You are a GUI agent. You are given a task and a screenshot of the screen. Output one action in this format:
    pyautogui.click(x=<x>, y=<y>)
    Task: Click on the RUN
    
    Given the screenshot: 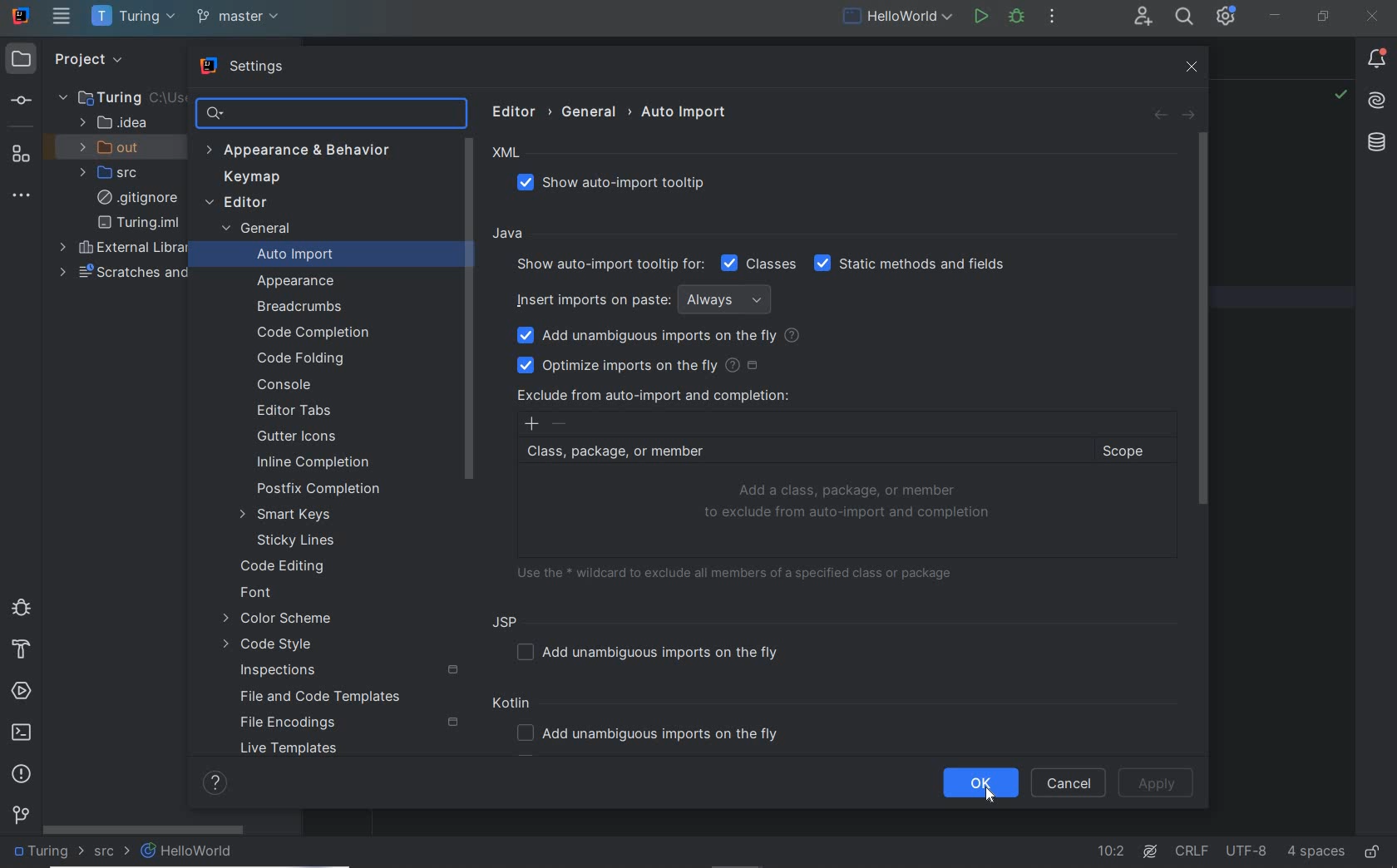 What is the action you would take?
    pyautogui.click(x=979, y=15)
    